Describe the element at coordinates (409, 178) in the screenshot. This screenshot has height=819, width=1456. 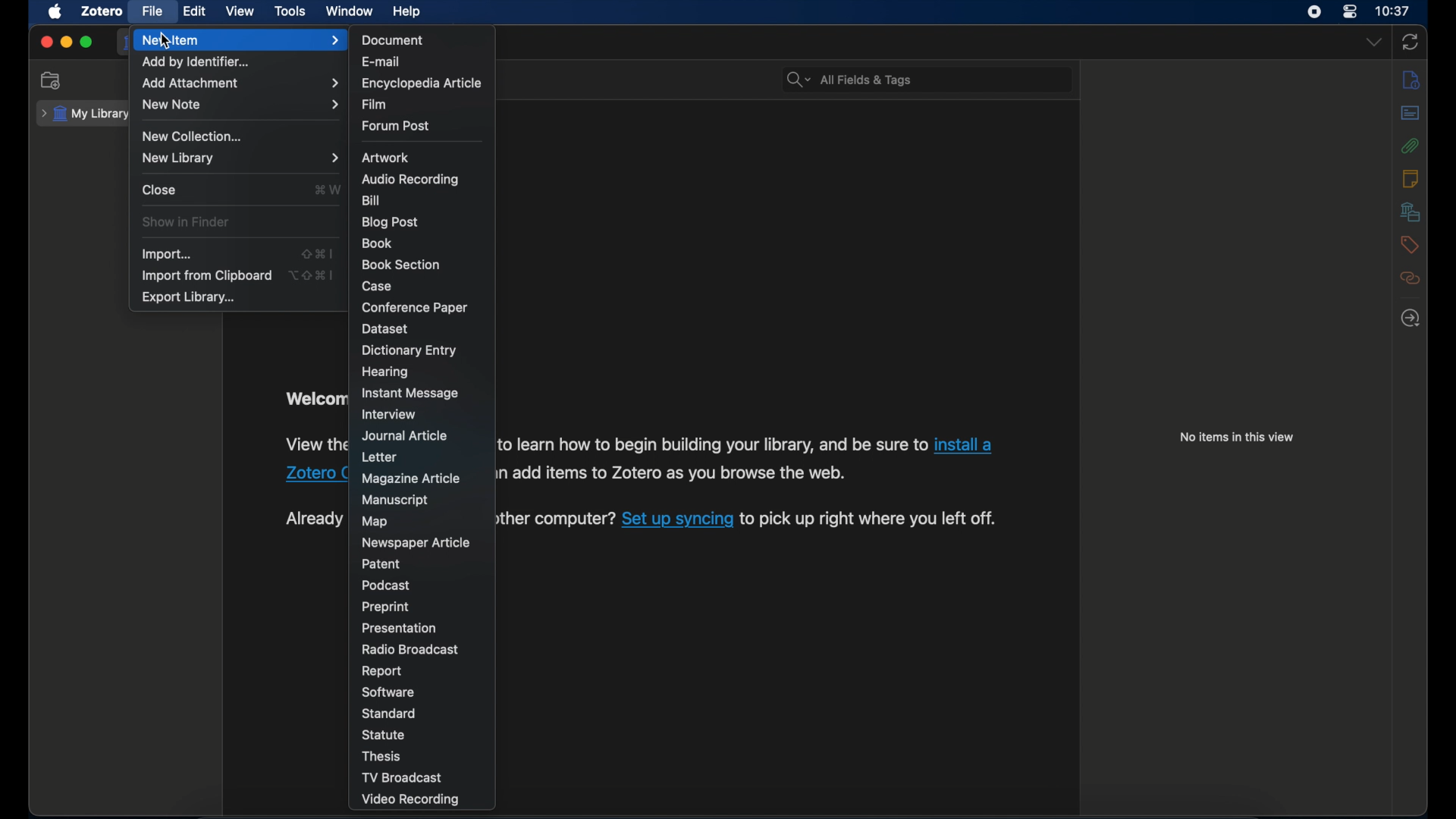
I see `audio recording` at that location.